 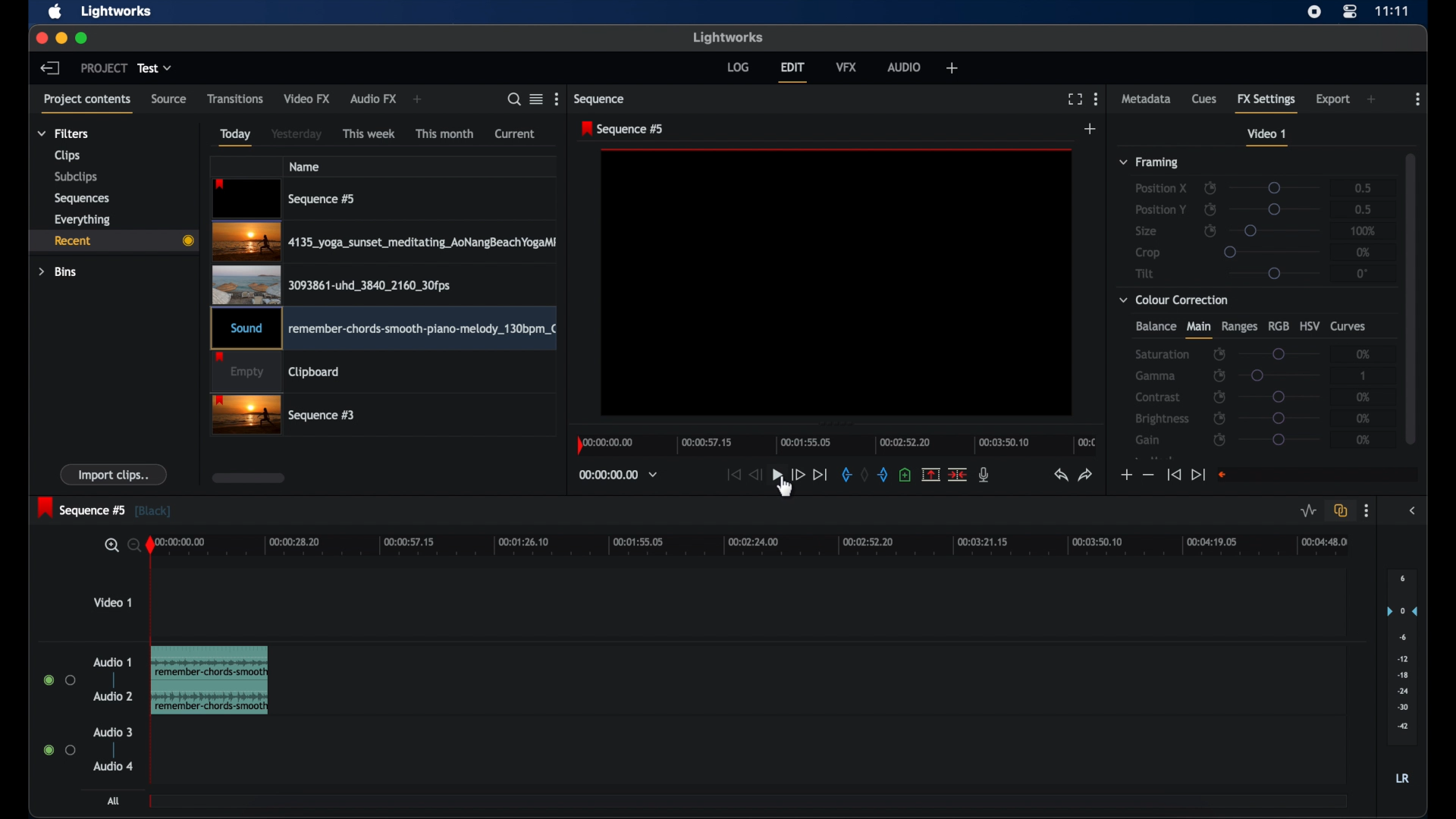 I want to click on enable/disable keyframe, so click(x=1210, y=209).